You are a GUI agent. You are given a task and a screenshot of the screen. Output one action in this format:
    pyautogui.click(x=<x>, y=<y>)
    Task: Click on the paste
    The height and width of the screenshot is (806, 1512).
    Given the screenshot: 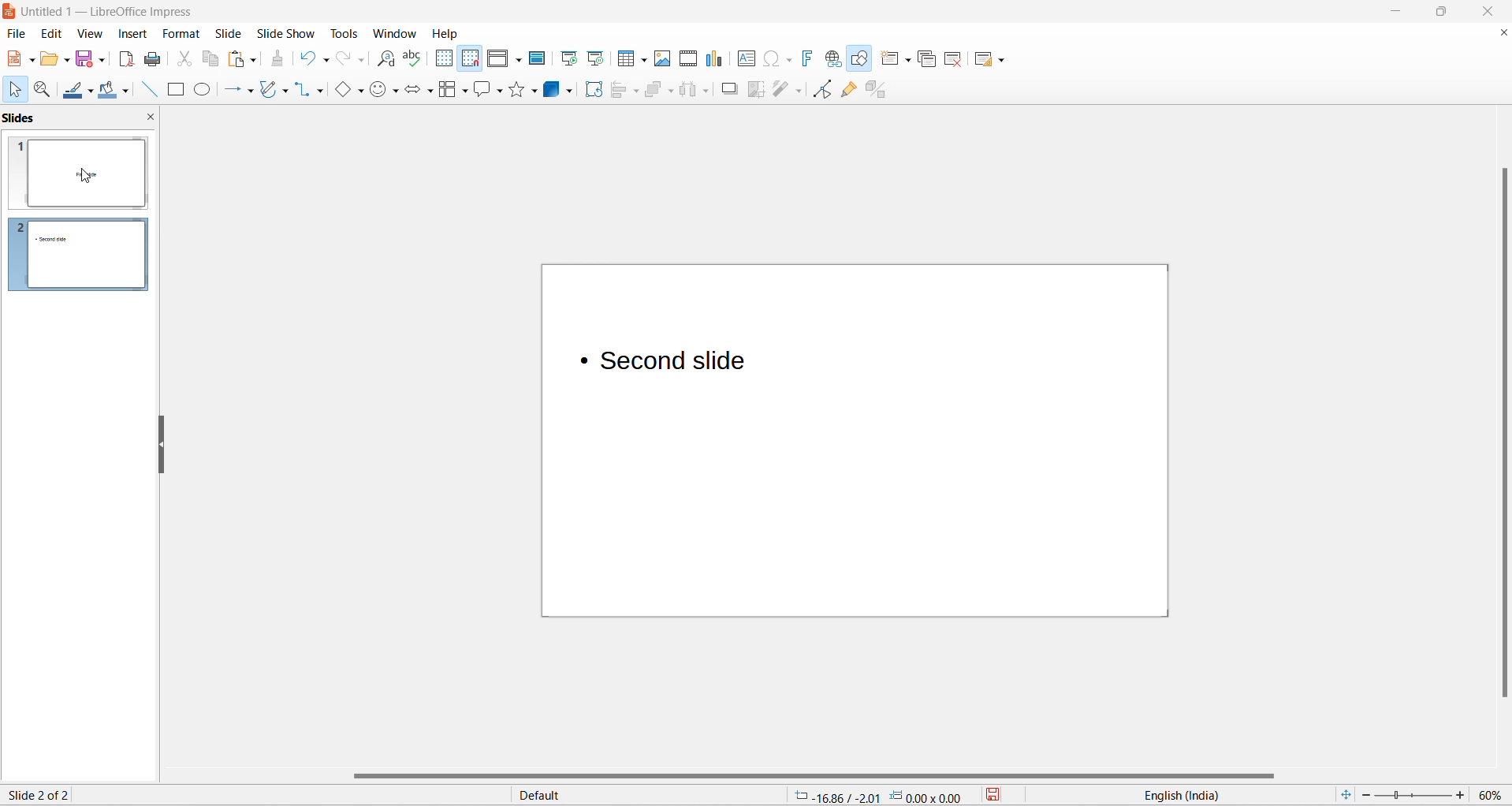 What is the action you would take?
    pyautogui.click(x=238, y=57)
    